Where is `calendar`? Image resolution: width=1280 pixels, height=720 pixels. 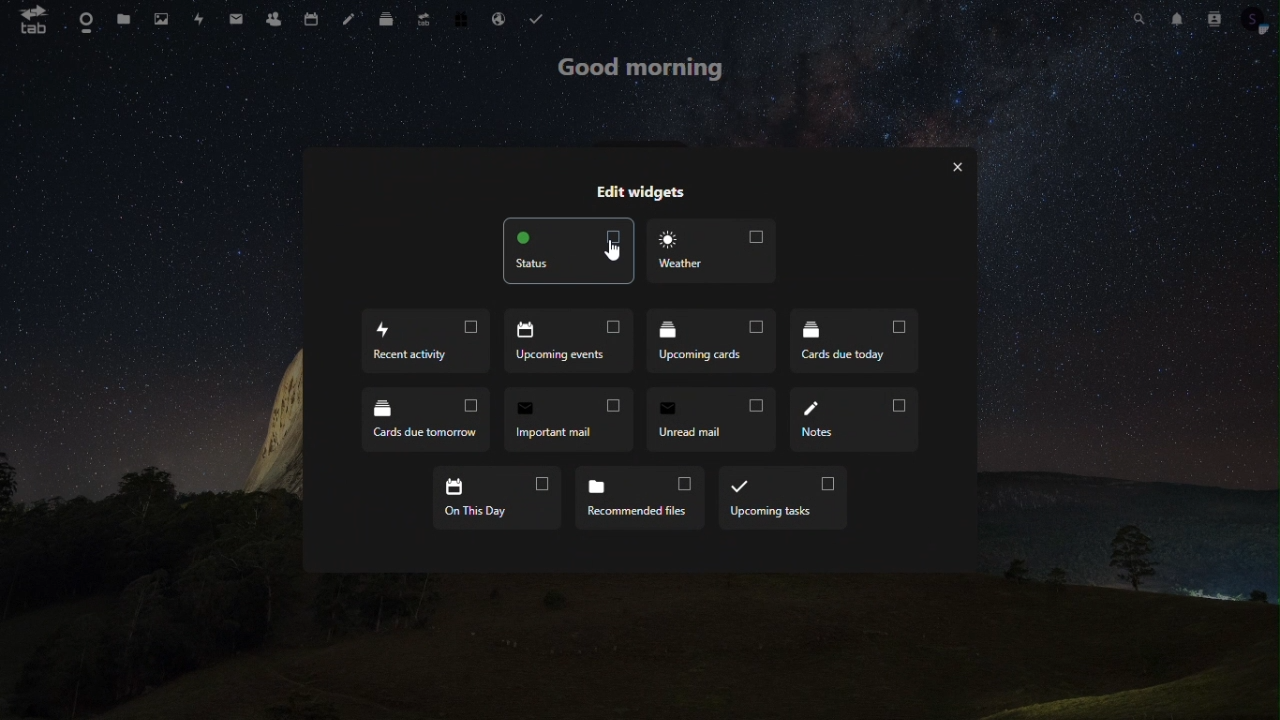
calendar is located at coordinates (309, 20).